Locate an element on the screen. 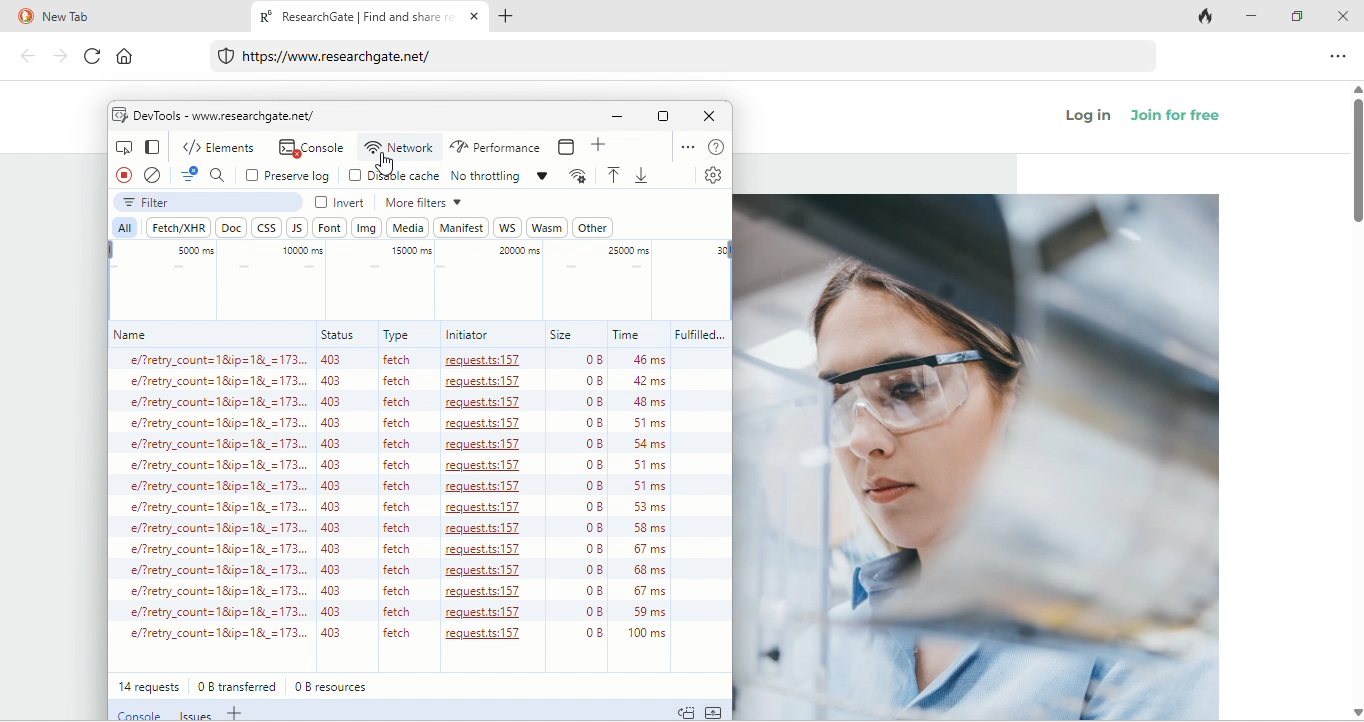  css is located at coordinates (264, 226).